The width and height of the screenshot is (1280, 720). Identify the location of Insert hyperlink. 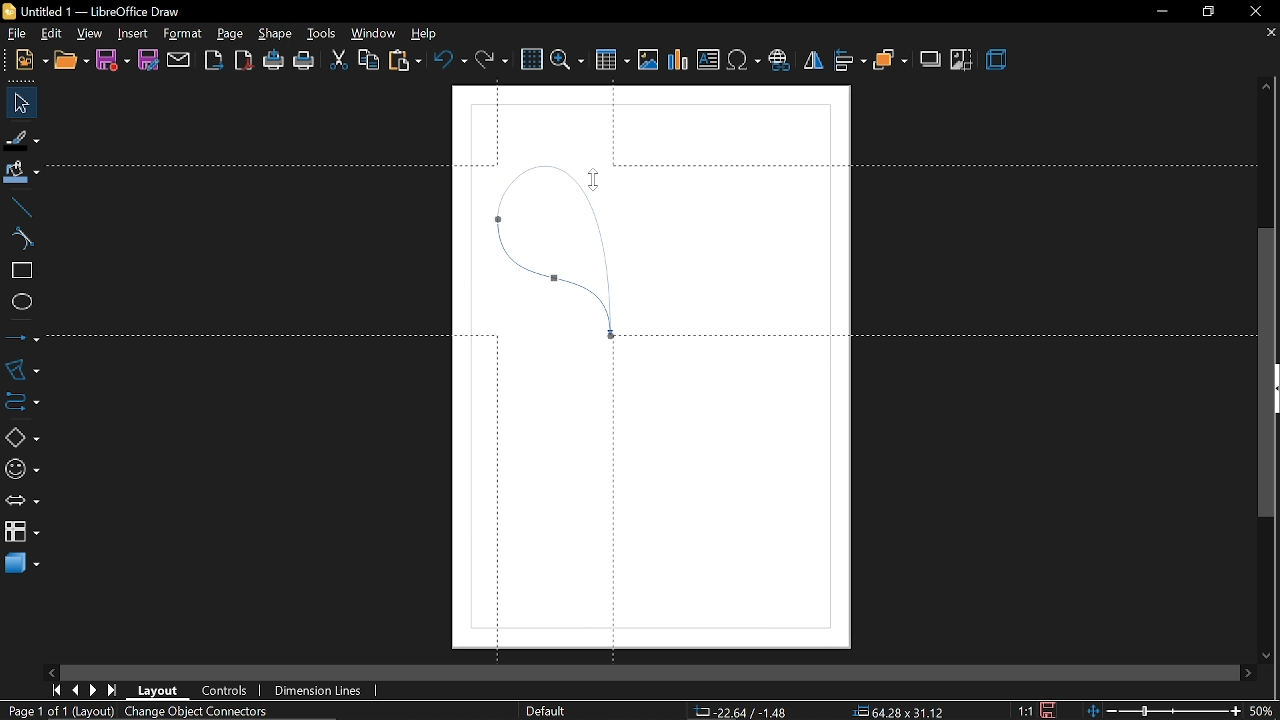
(779, 62).